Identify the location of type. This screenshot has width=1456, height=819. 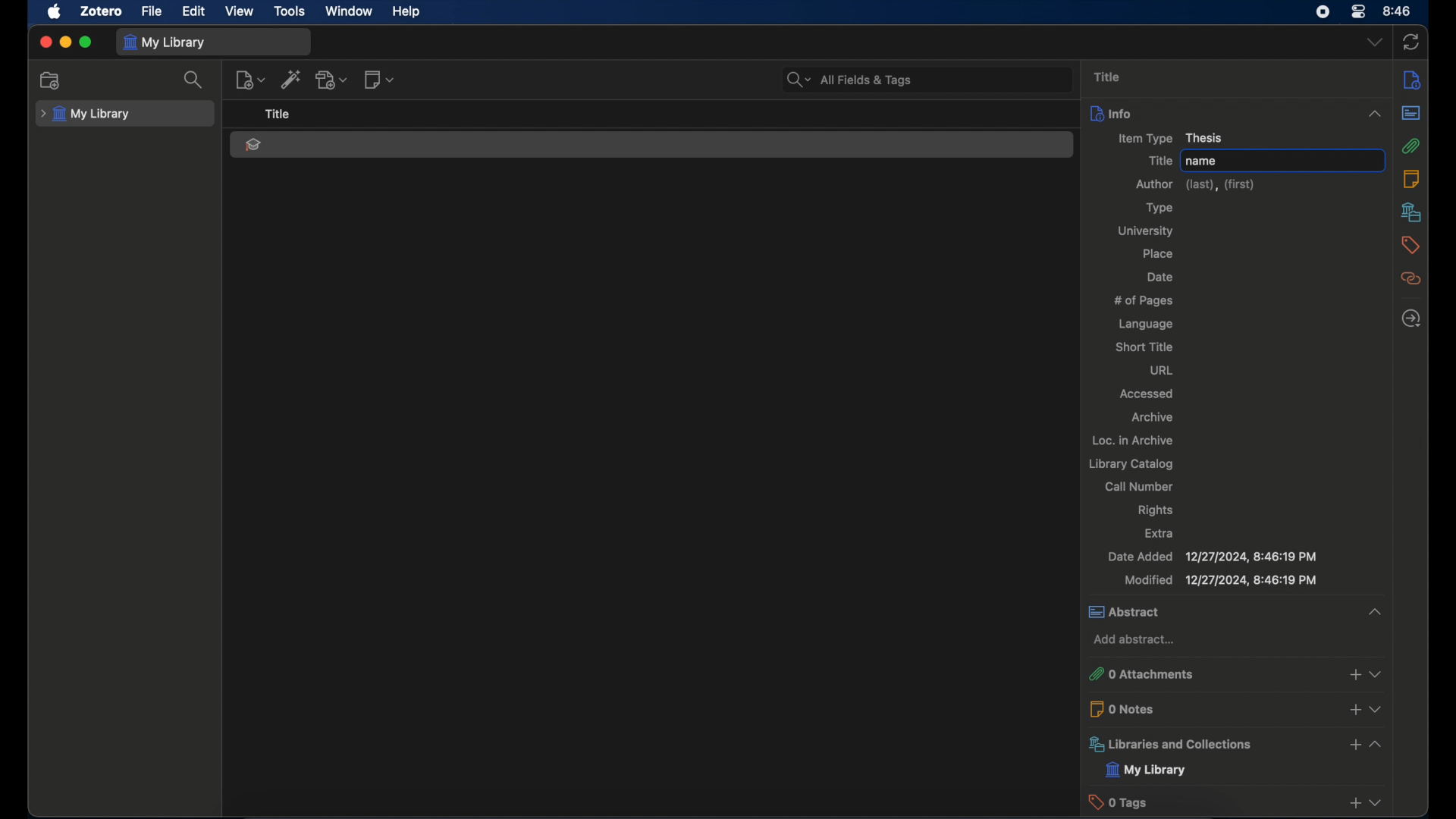
(1157, 209).